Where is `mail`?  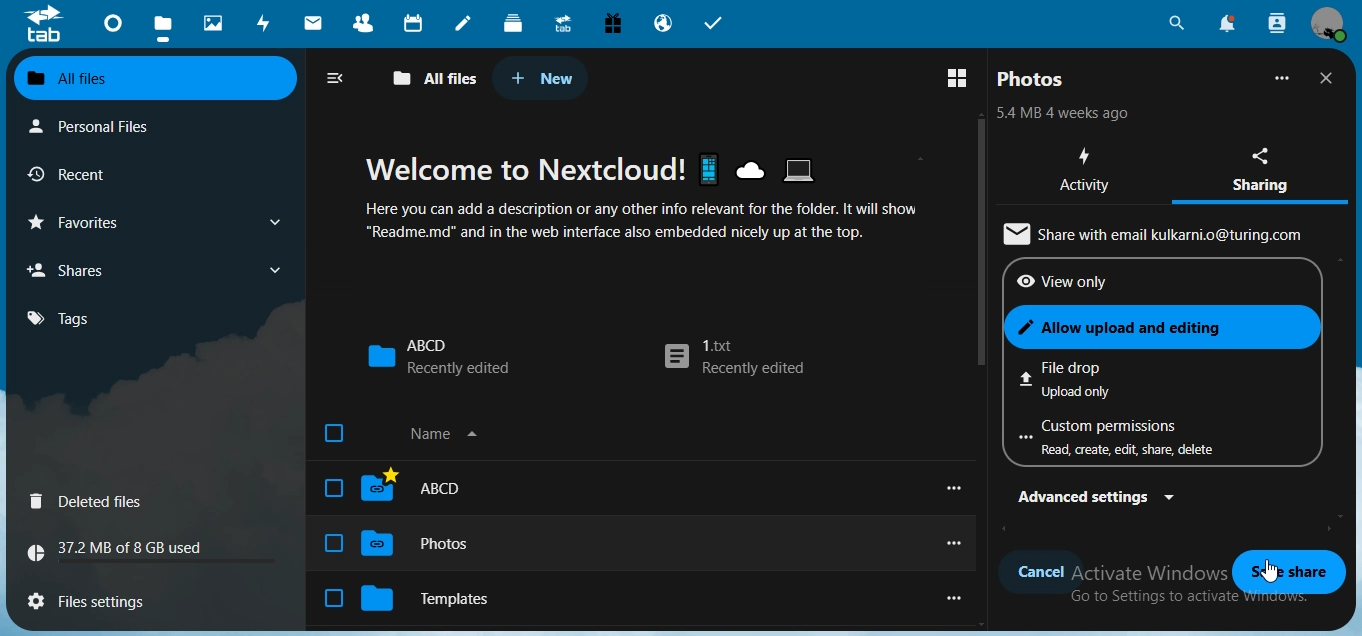 mail is located at coordinates (316, 25).